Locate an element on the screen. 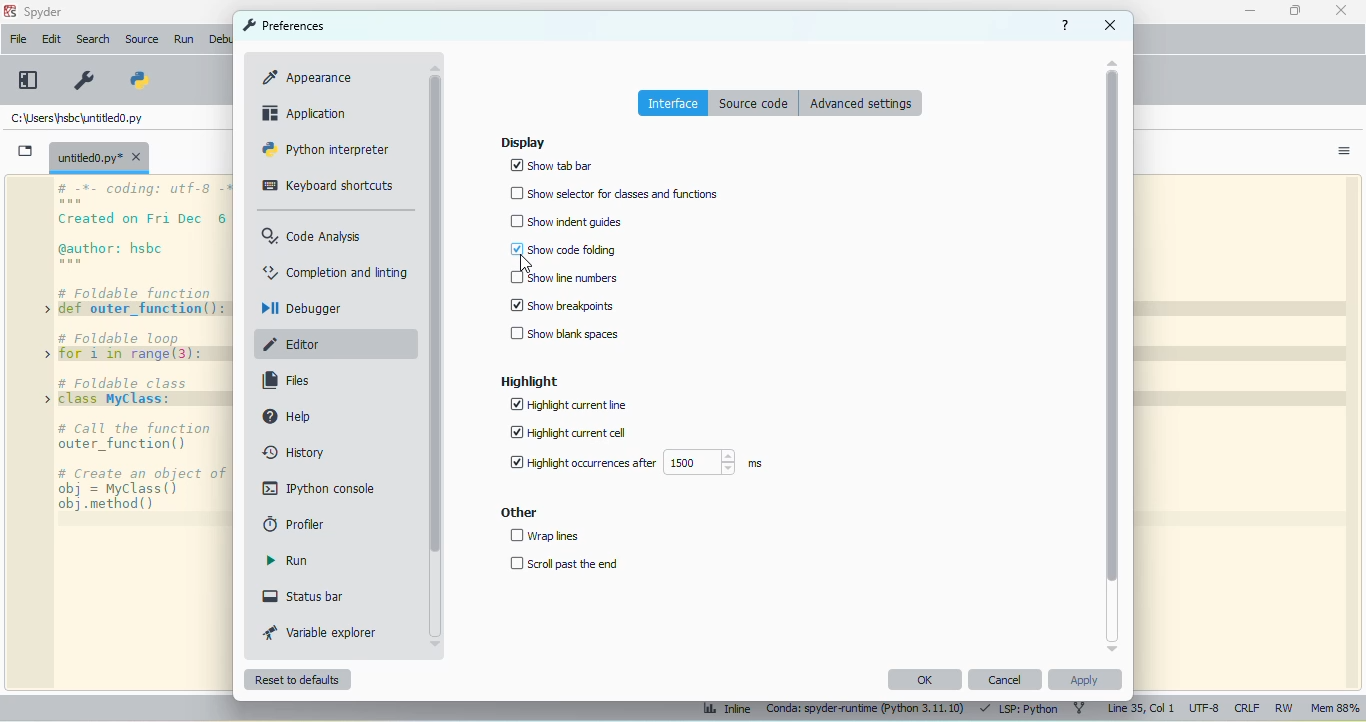 Image resolution: width=1366 pixels, height=722 pixels. preferences is located at coordinates (283, 25).